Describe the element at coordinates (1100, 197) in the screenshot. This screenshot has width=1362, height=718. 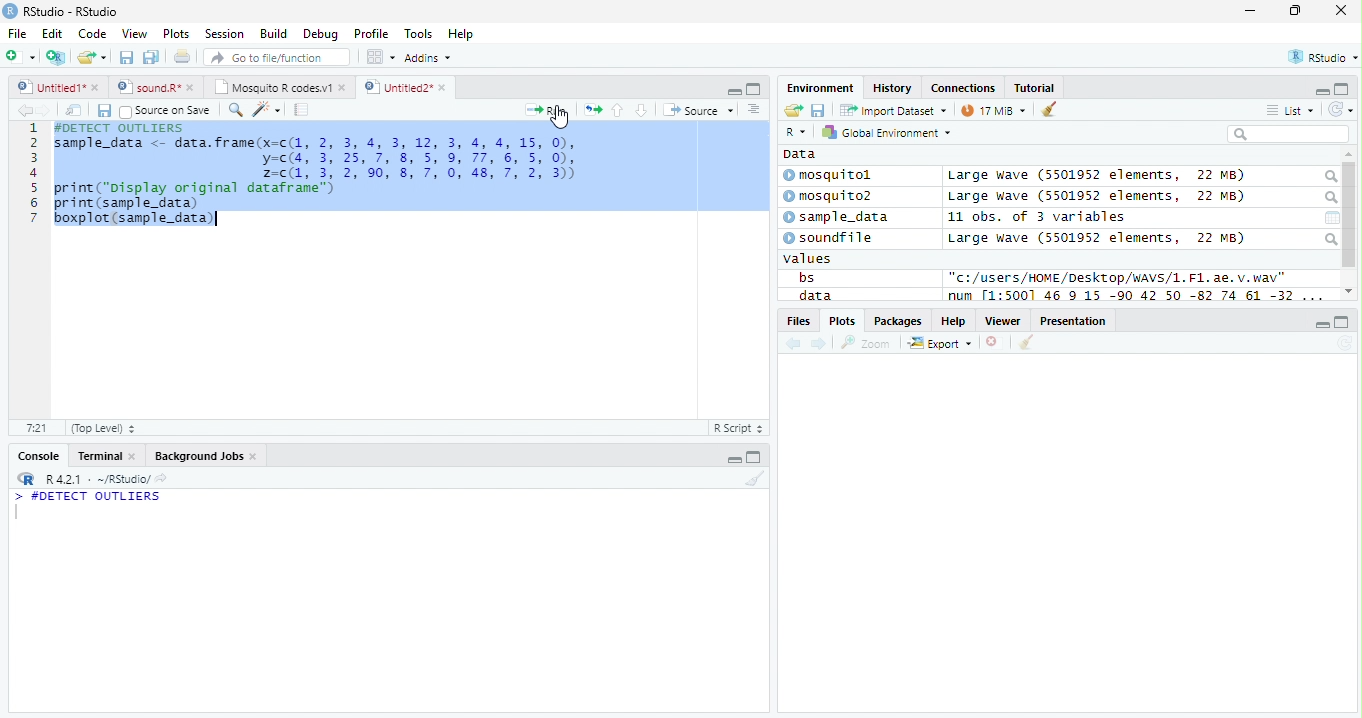
I see `Large wave (5501952 elements, 22 MB)` at that location.